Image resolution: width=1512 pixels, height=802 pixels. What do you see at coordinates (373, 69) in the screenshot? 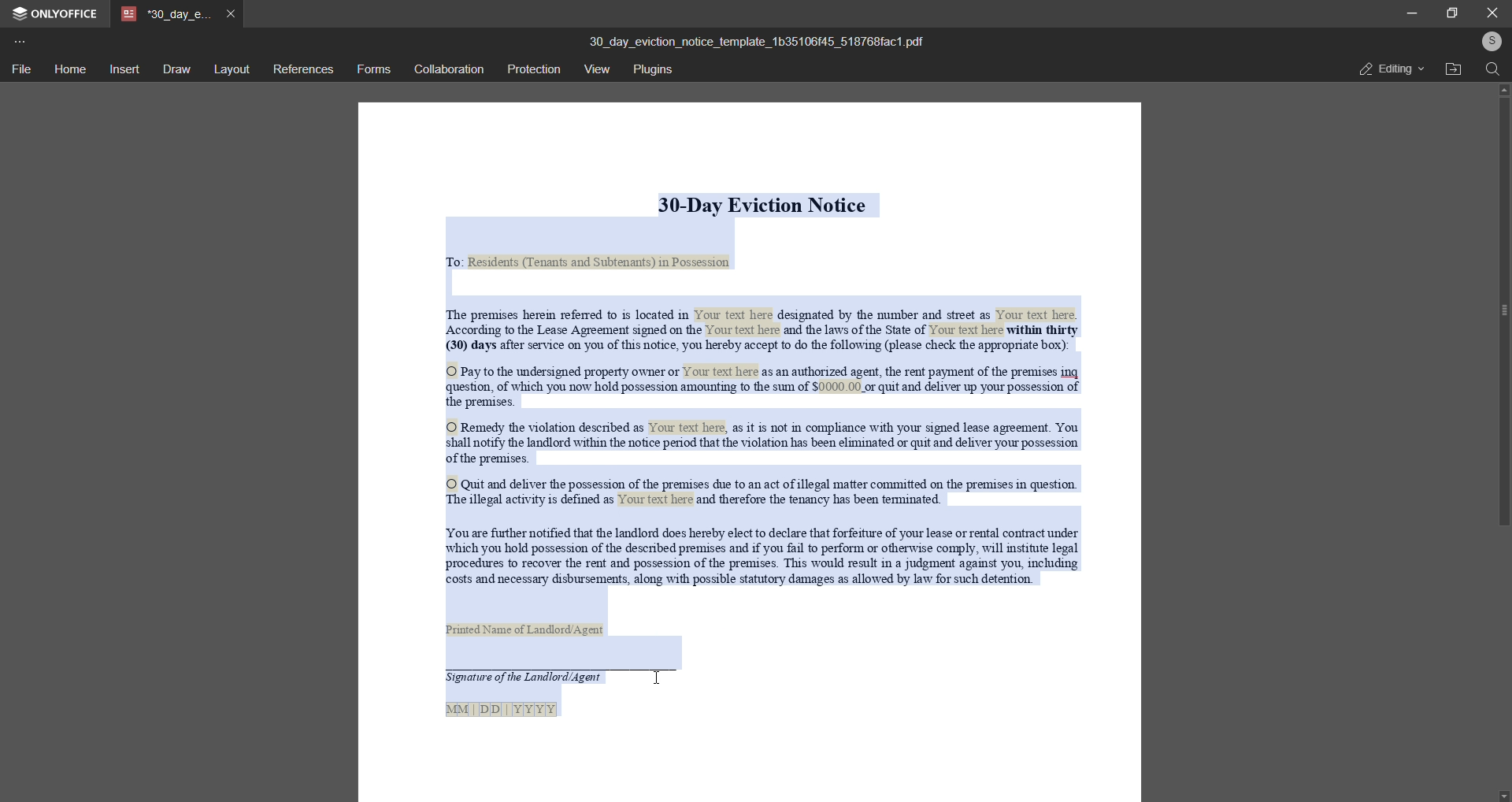
I see `forms` at bounding box center [373, 69].